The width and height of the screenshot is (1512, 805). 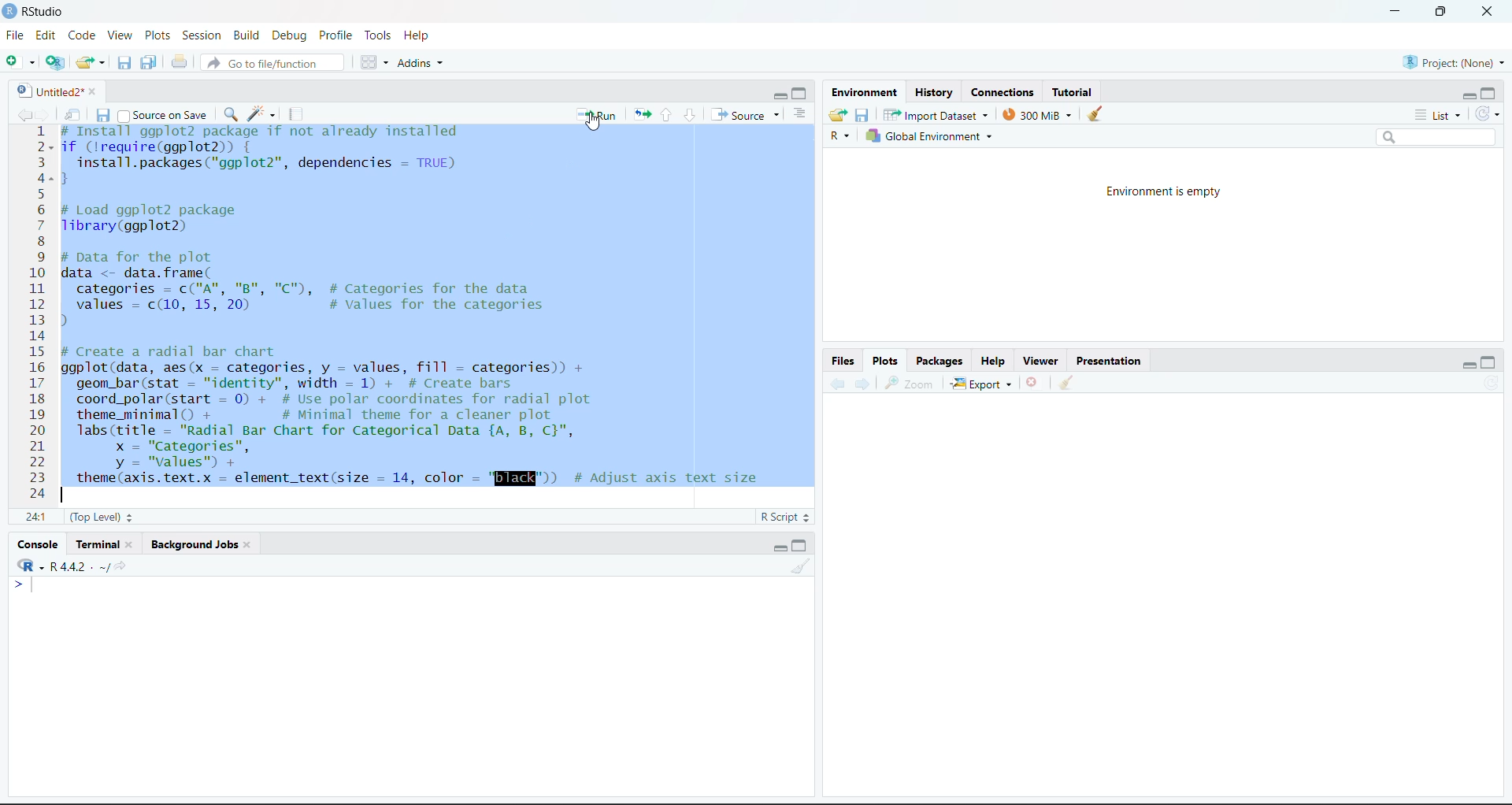 I want to click on (Top Level) , so click(x=101, y=517).